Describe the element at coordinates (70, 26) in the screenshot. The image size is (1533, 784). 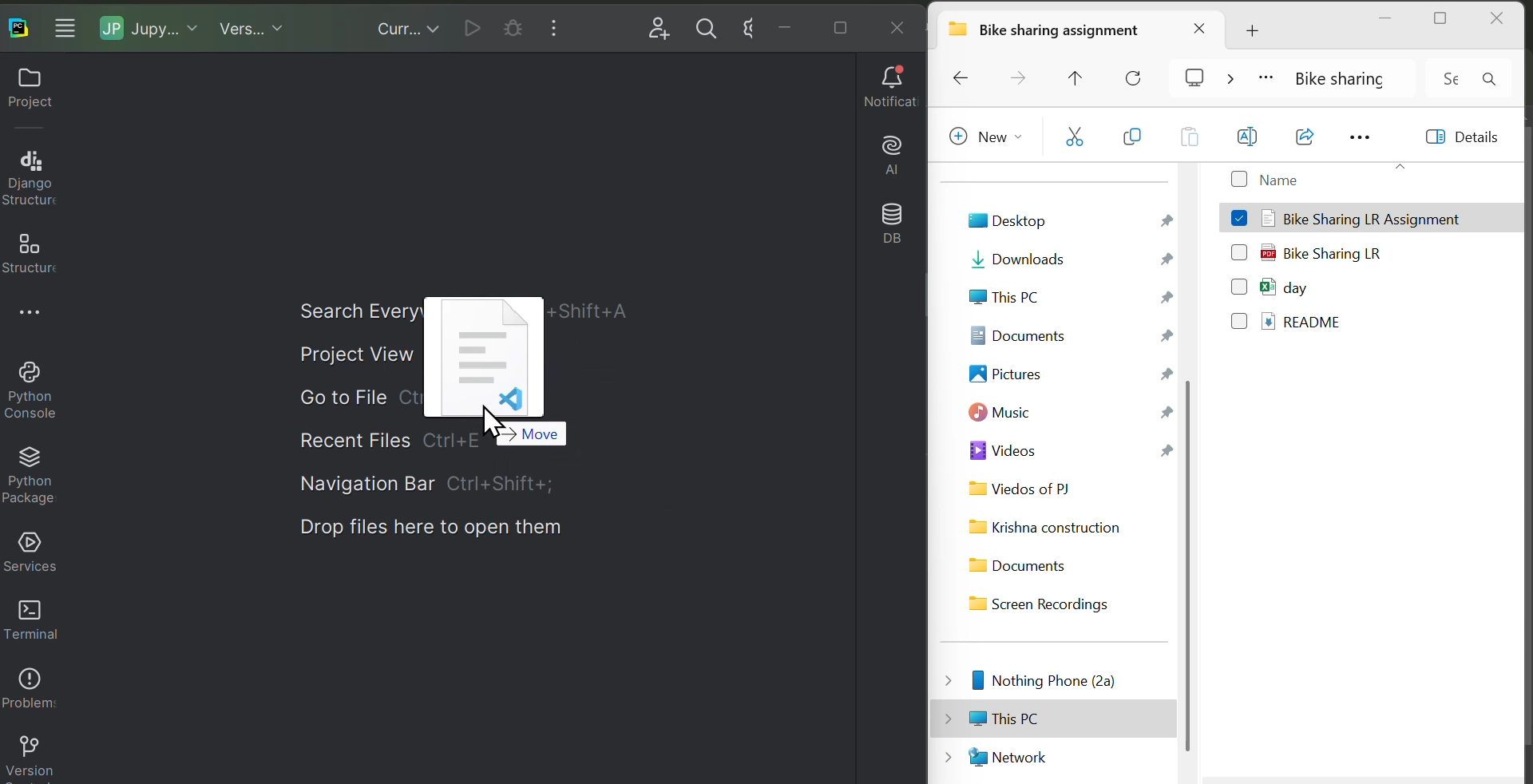
I see `More windows options` at that location.